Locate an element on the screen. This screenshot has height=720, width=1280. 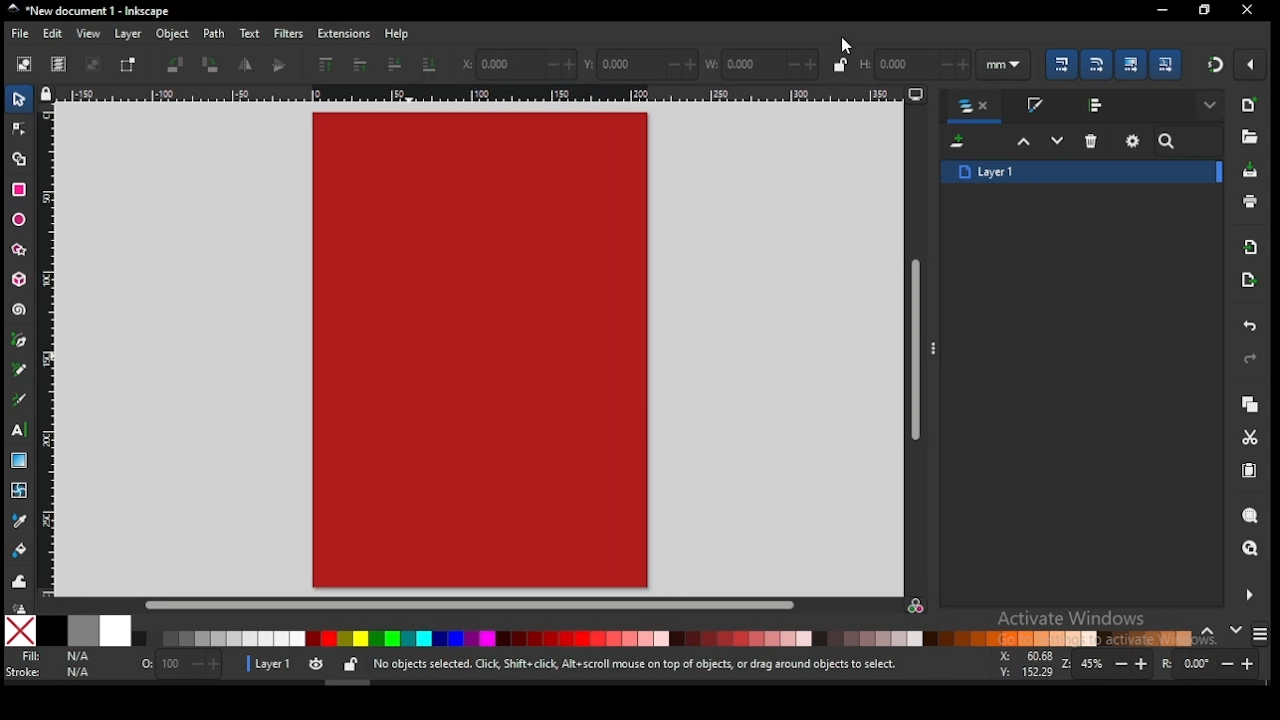
restore is located at coordinates (1248, 10).